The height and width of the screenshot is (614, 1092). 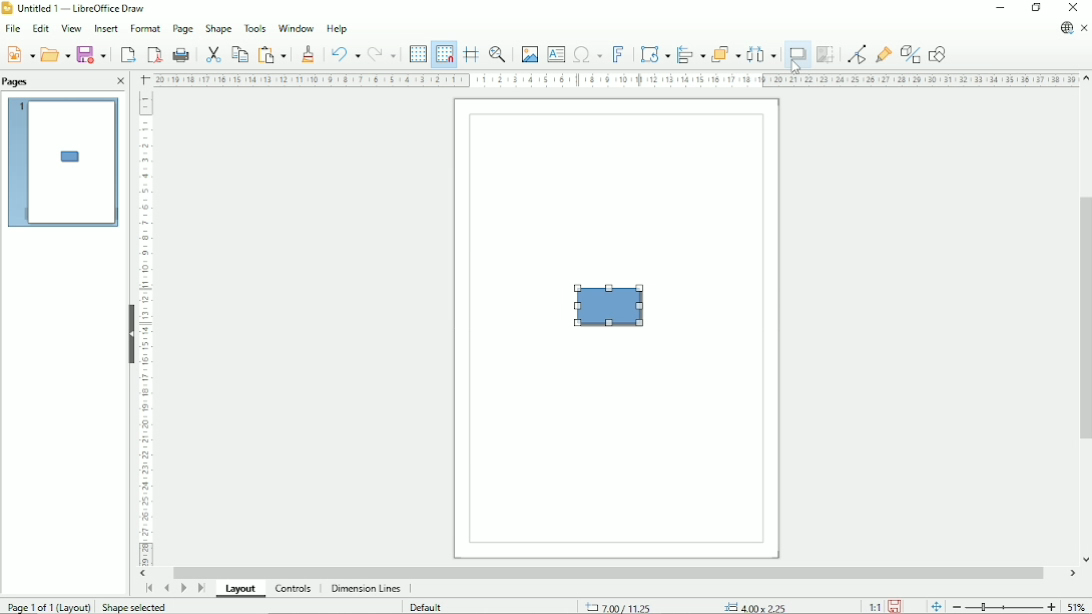 What do you see at coordinates (297, 28) in the screenshot?
I see `Window` at bounding box center [297, 28].